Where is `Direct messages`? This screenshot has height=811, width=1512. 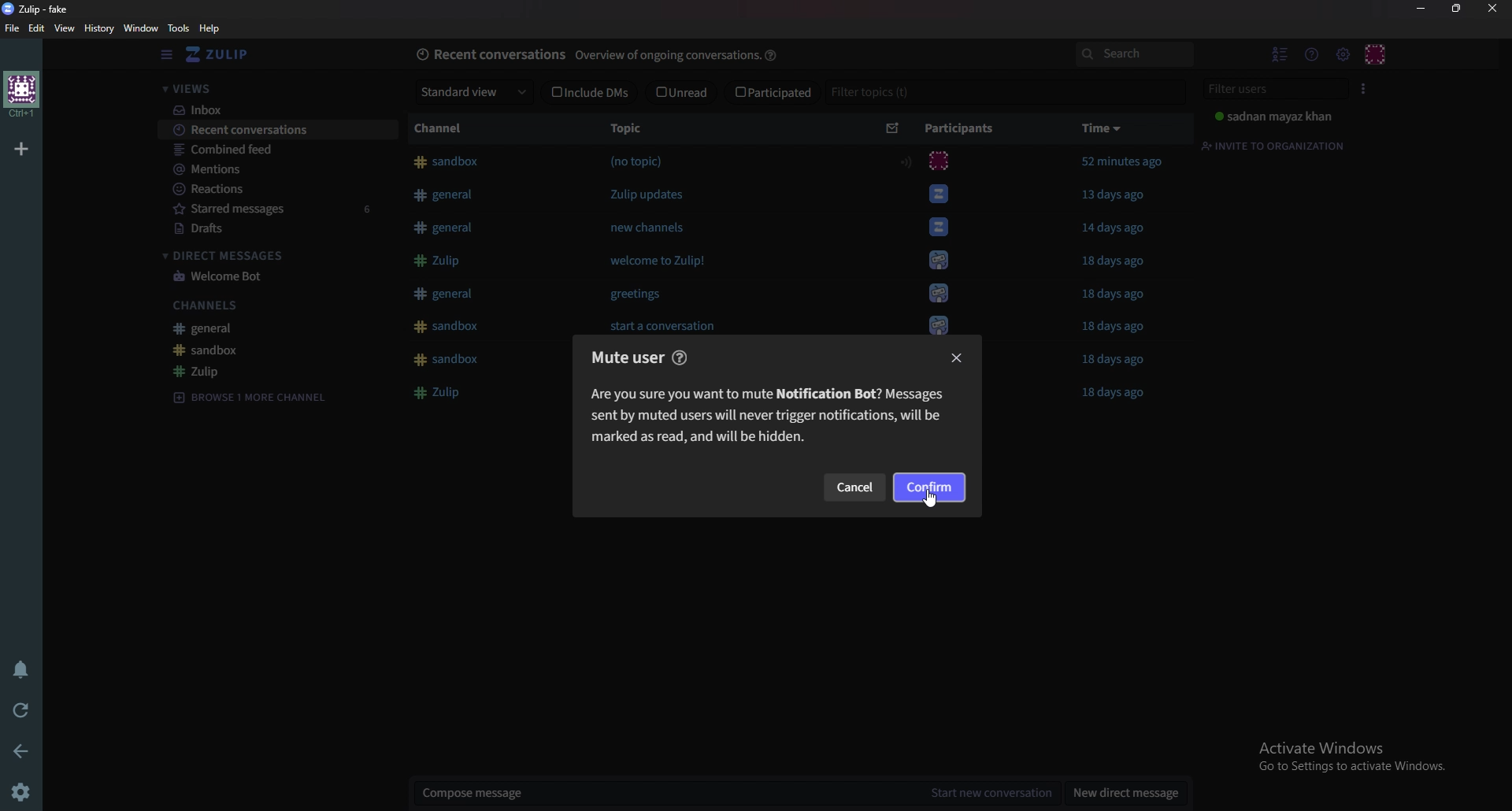
Direct messages is located at coordinates (262, 254).